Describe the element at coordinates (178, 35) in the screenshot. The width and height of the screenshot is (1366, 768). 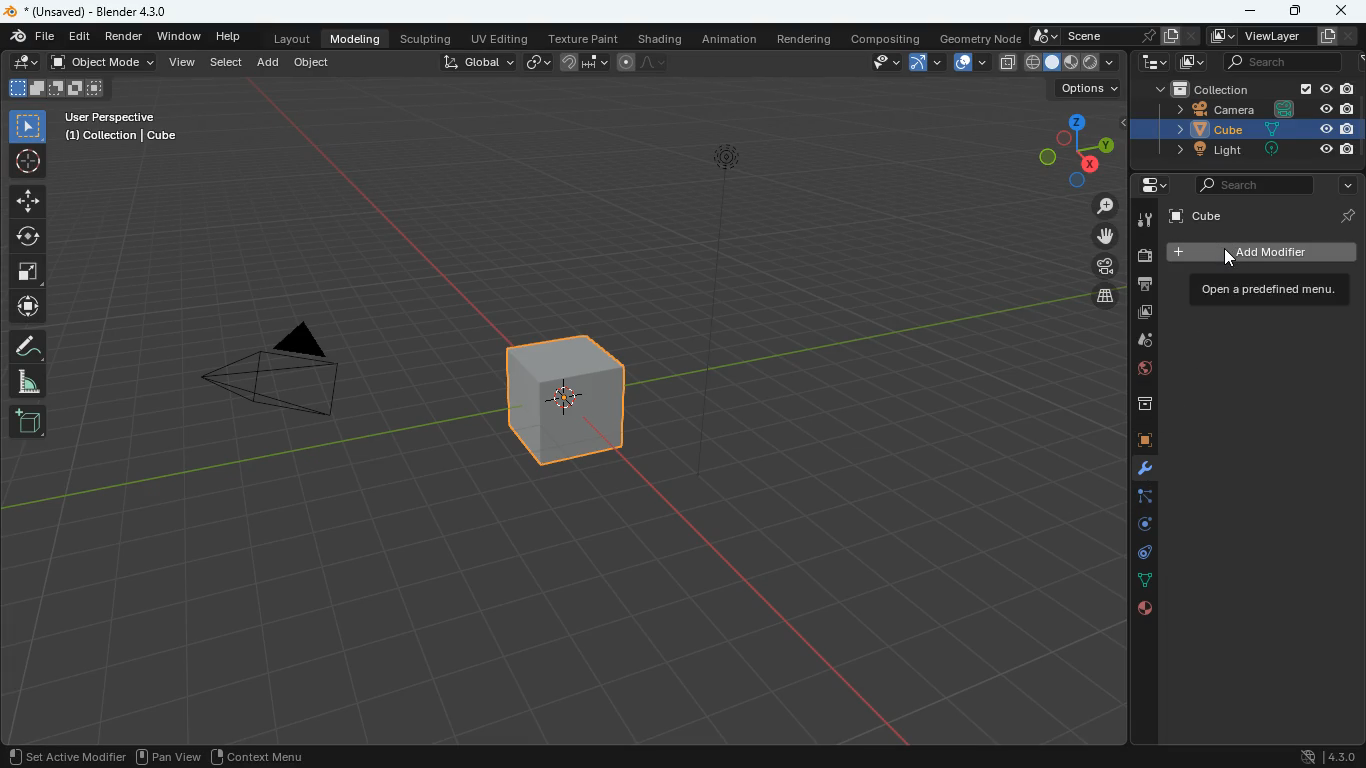
I see `window` at that location.